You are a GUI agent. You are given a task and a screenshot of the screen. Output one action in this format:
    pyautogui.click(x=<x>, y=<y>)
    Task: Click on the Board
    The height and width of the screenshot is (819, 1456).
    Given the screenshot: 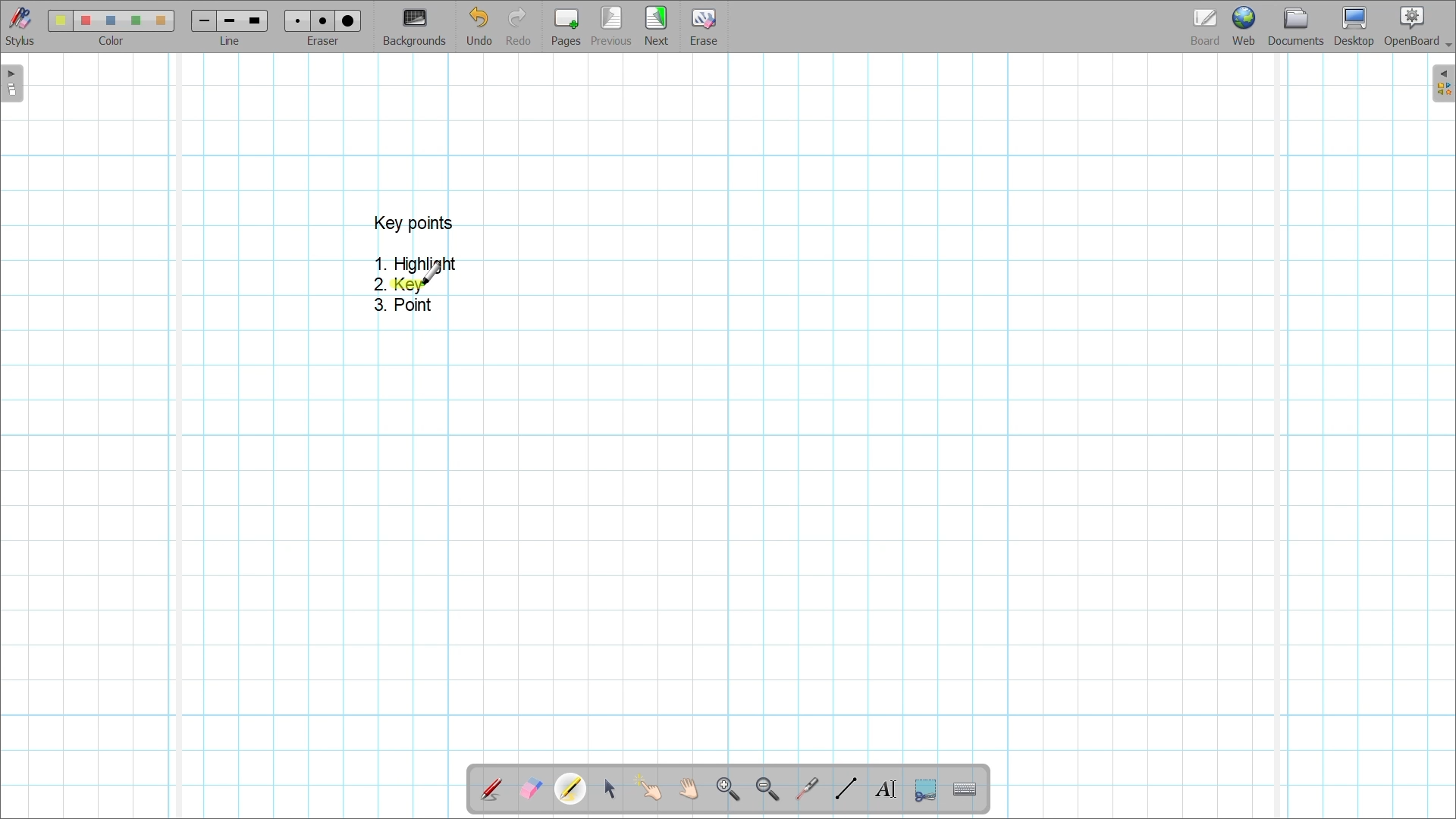 What is the action you would take?
    pyautogui.click(x=1206, y=27)
    